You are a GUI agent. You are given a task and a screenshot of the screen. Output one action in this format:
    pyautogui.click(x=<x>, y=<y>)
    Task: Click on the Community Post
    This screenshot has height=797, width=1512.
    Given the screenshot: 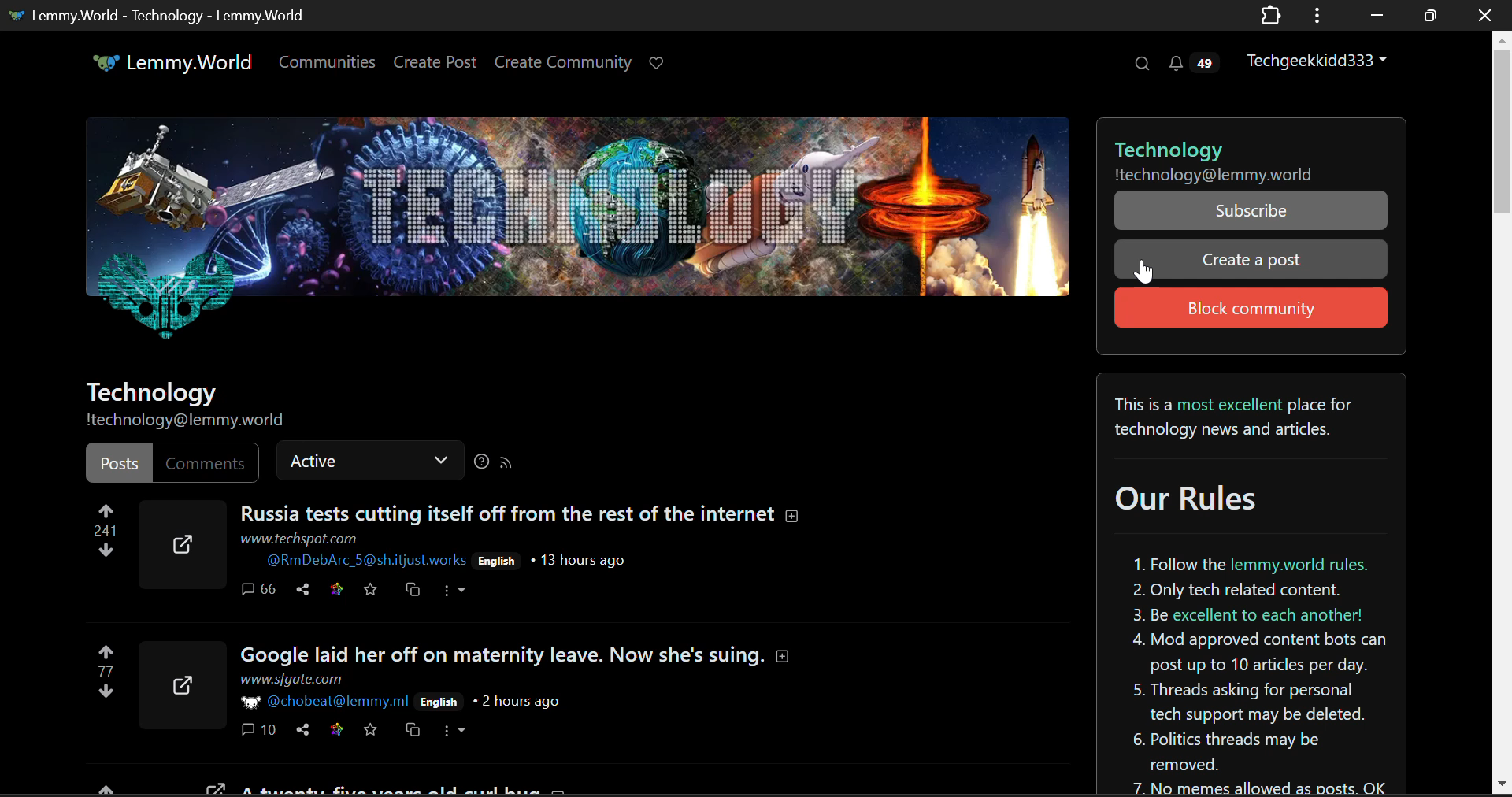 What is the action you would take?
    pyautogui.click(x=457, y=790)
    